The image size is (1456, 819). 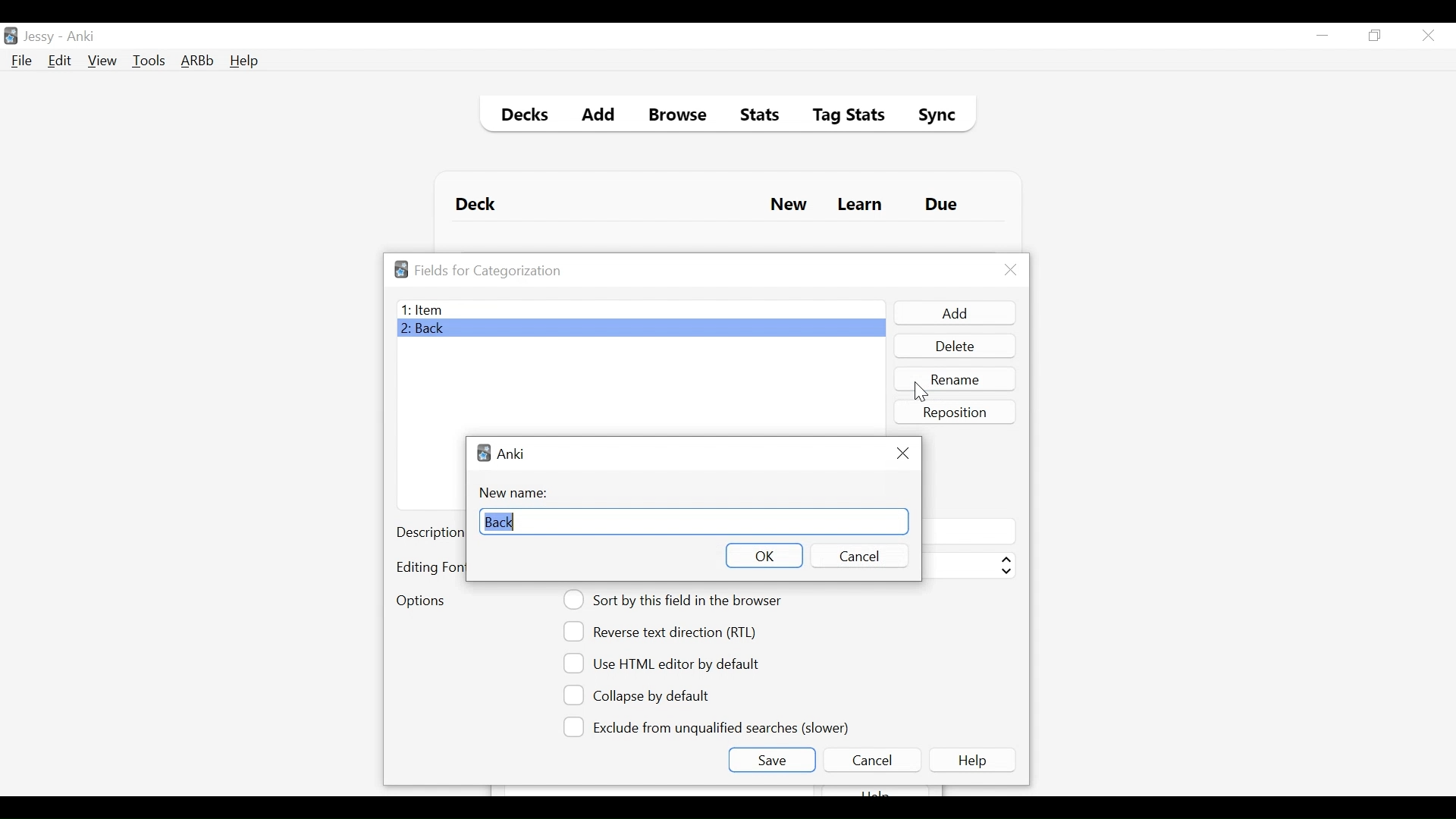 What do you see at coordinates (488, 271) in the screenshot?
I see `Field for Categorization` at bounding box center [488, 271].